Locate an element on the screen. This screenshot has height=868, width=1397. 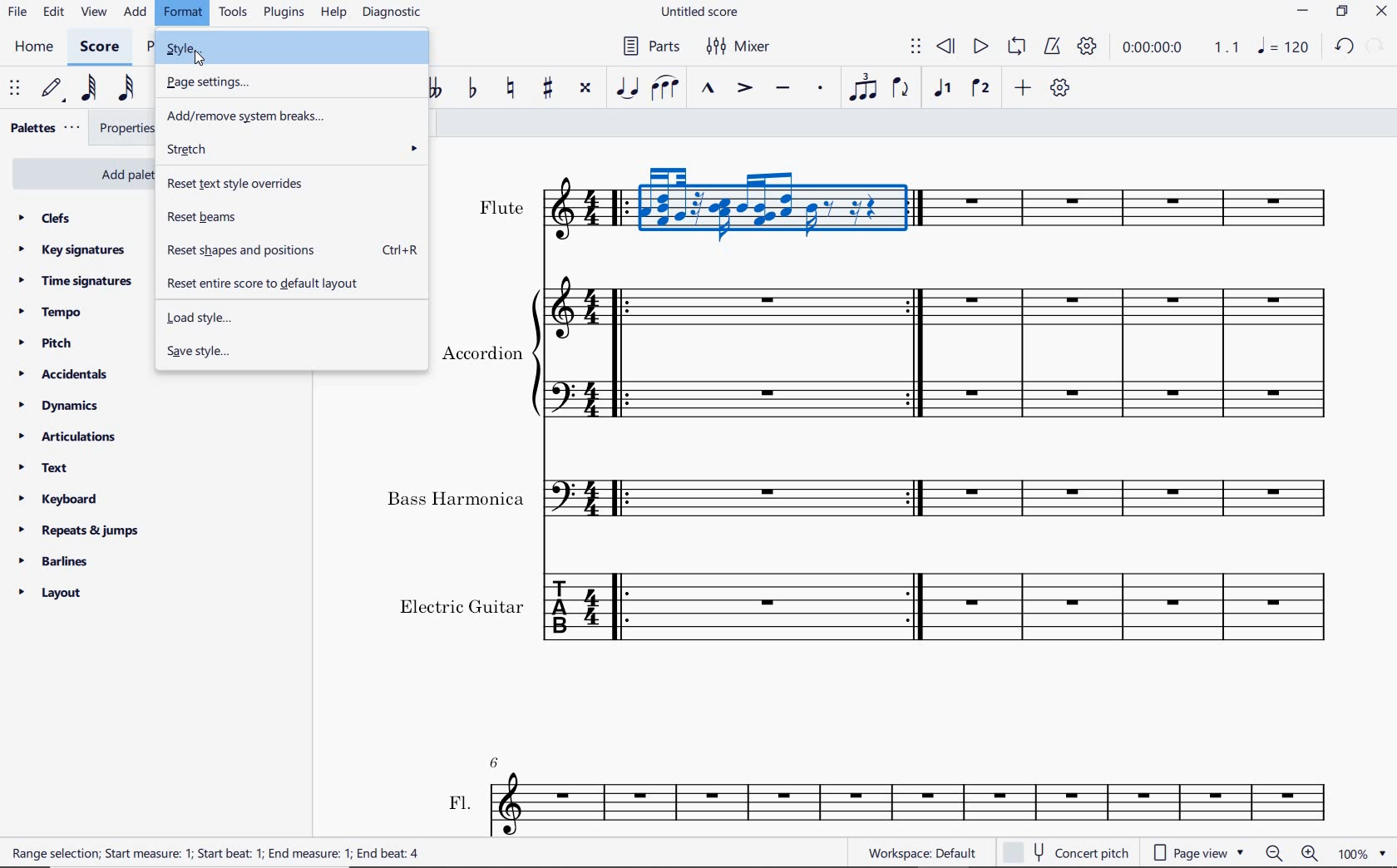
layout is located at coordinates (51, 593).